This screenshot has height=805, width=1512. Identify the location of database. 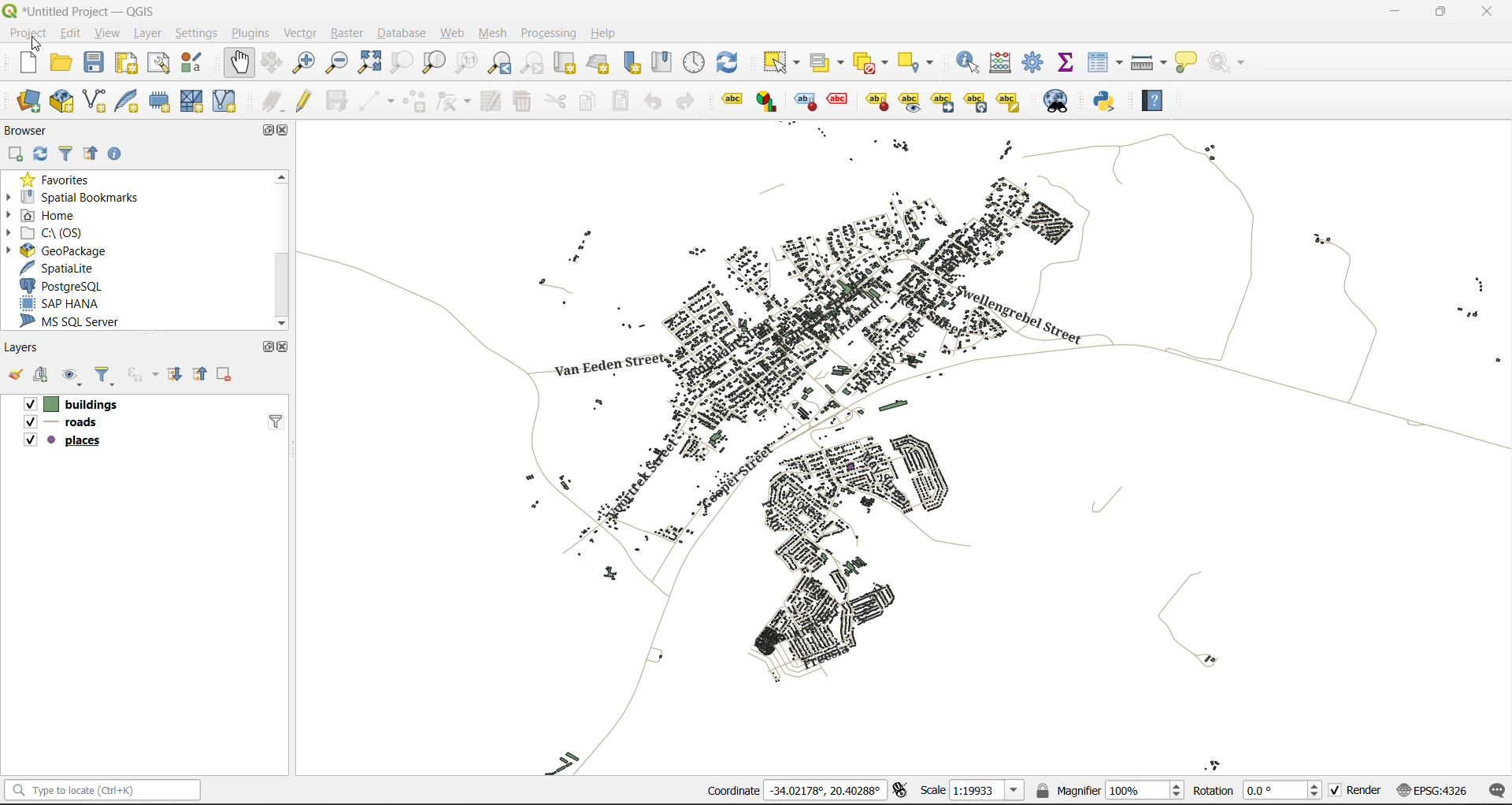
(401, 34).